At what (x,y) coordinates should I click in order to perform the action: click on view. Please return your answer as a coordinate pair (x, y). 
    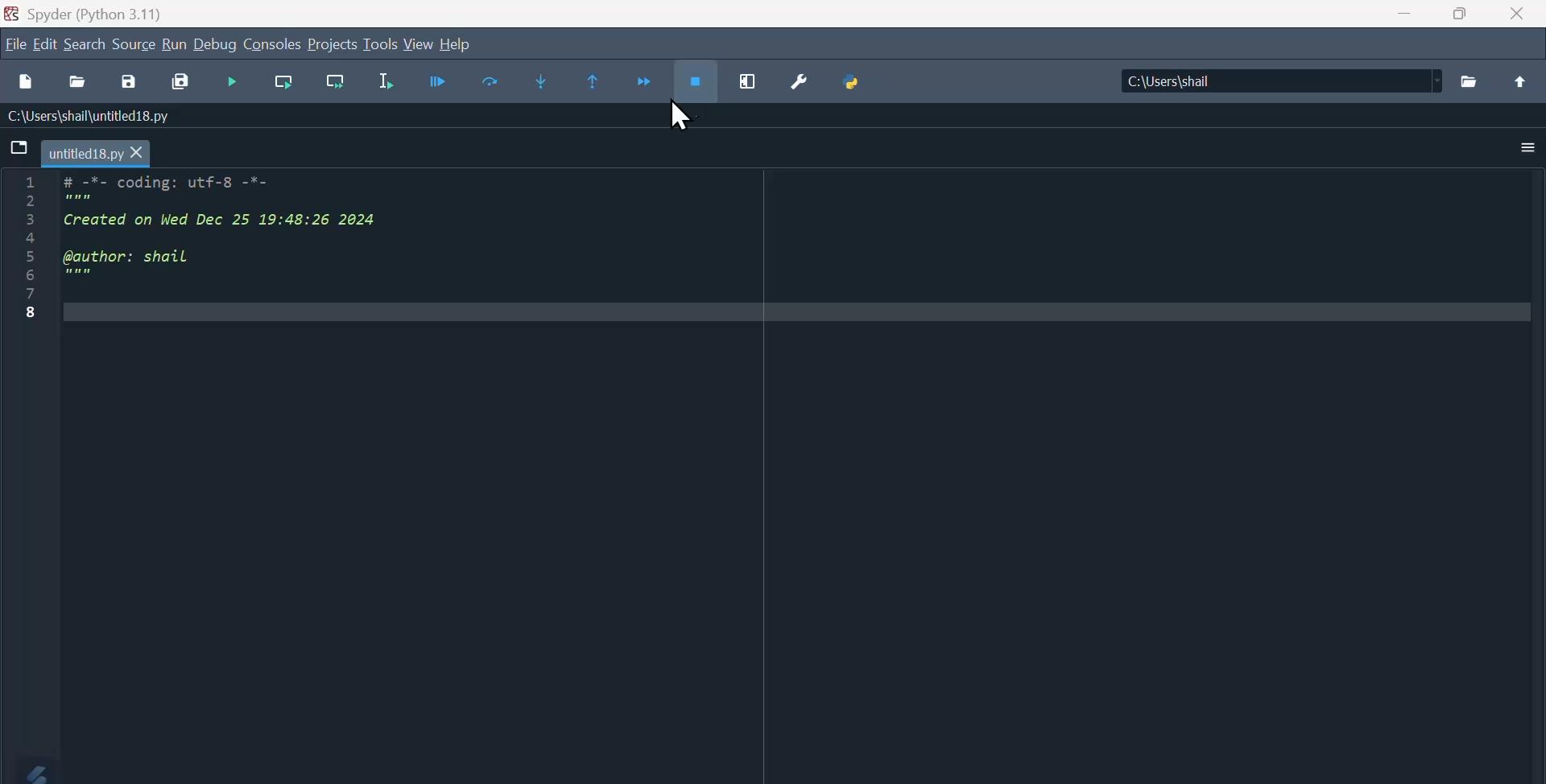
    Looking at the image, I should click on (421, 43).